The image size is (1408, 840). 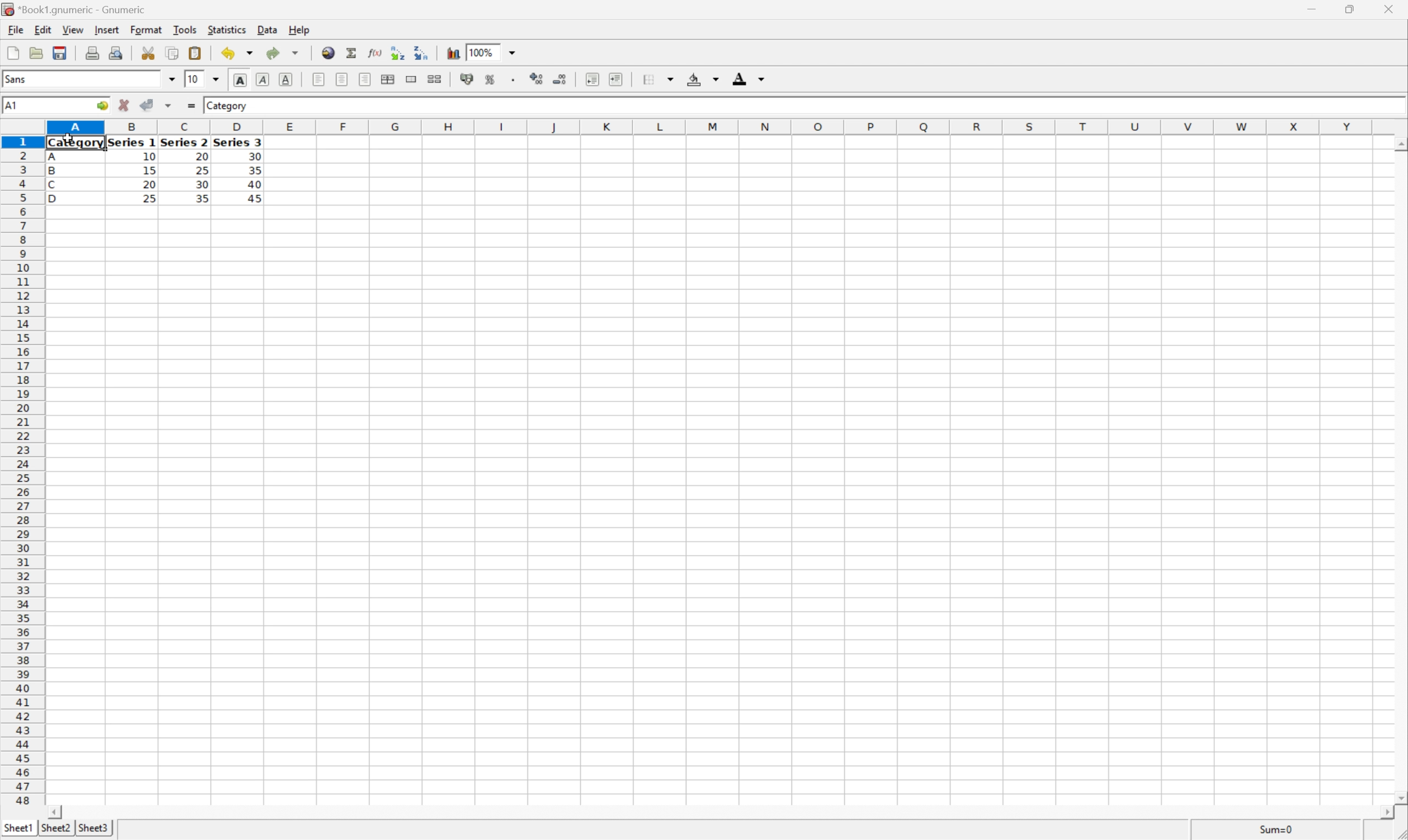 What do you see at coordinates (376, 53) in the screenshot?
I see `Edit function in current cell` at bounding box center [376, 53].